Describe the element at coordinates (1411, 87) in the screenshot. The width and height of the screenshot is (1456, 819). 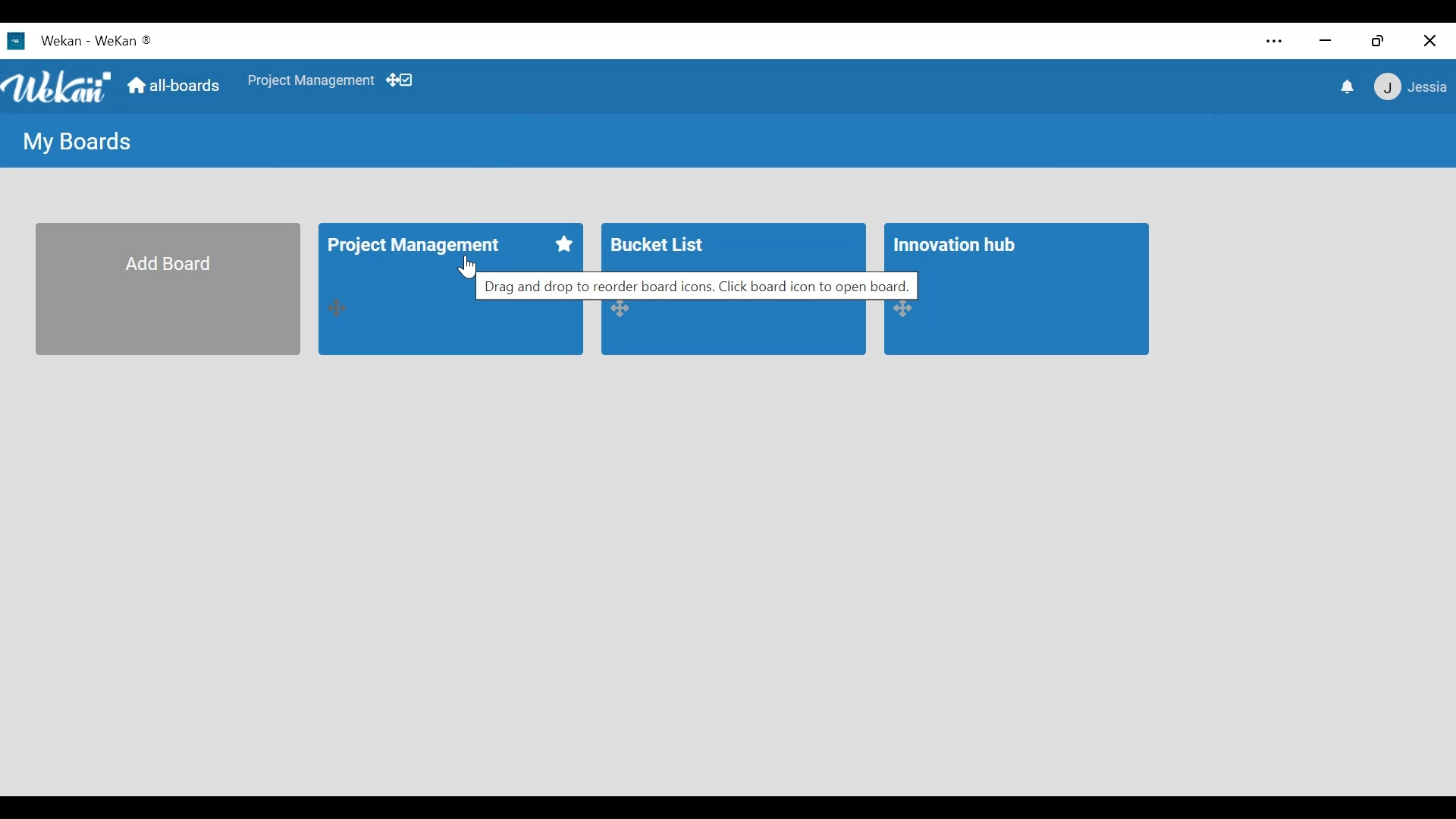
I see `Member` at that location.